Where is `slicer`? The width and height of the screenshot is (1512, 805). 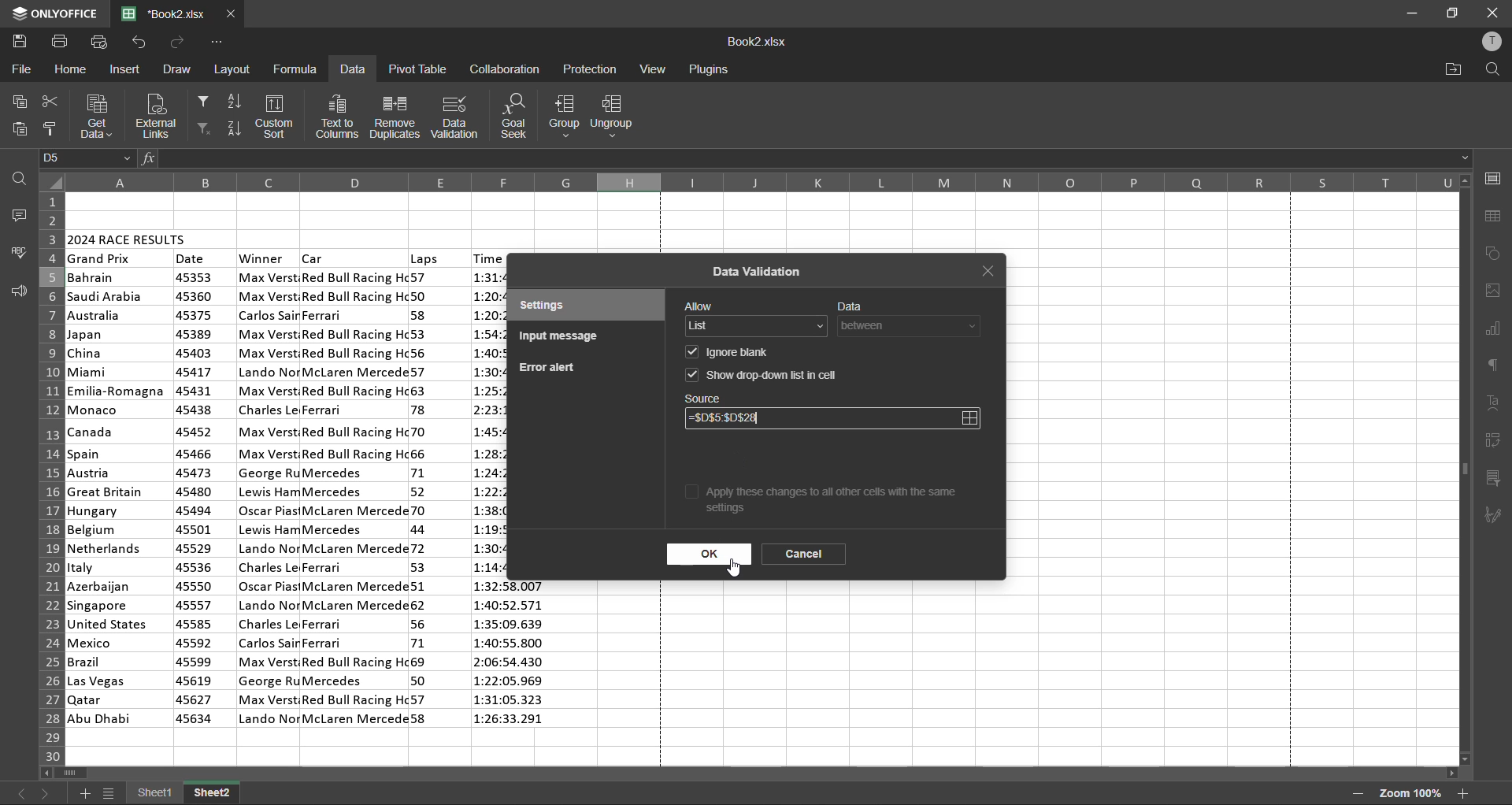
slicer is located at coordinates (1495, 480).